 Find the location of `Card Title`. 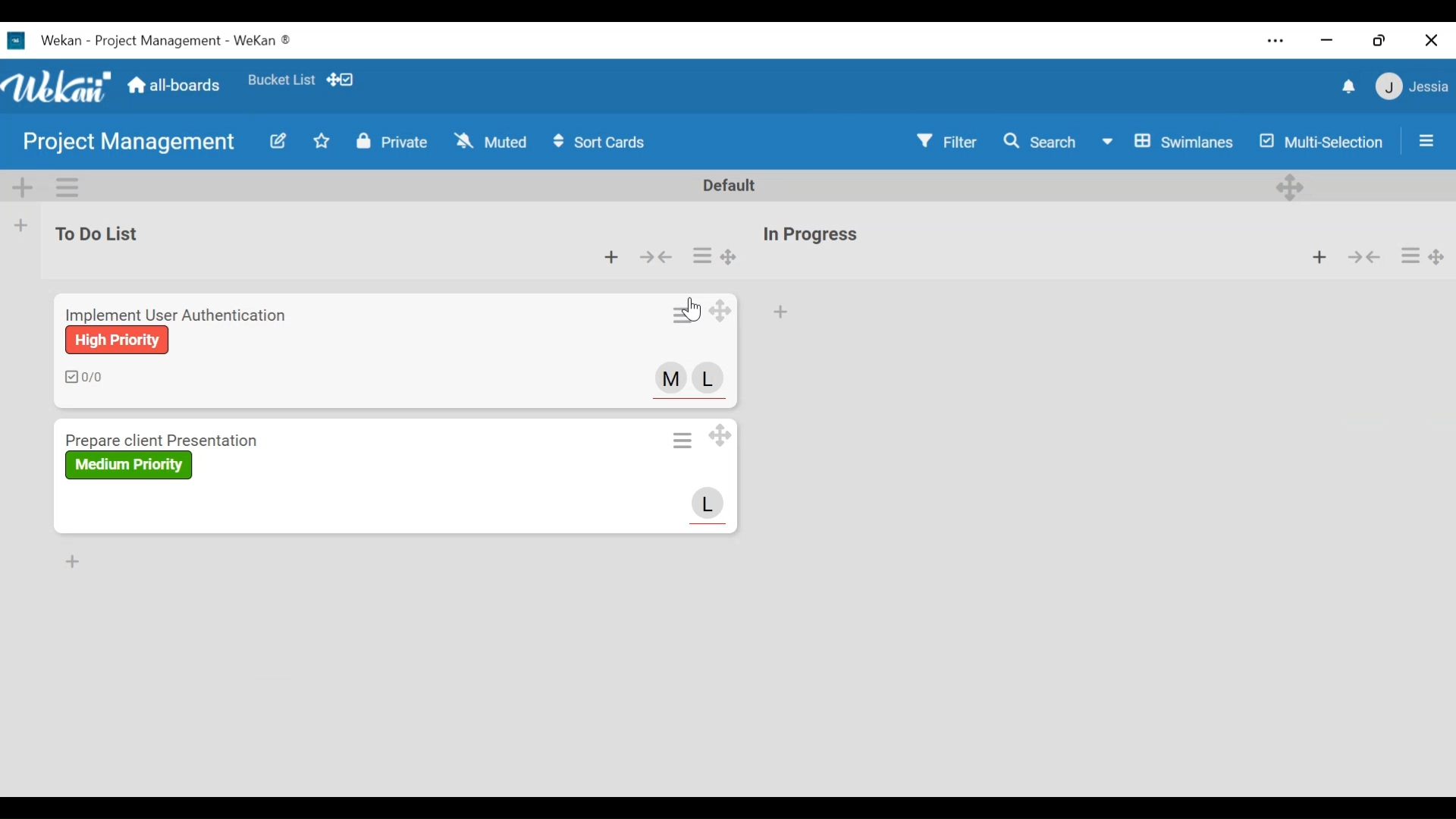

Card Title is located at coordinates (170, 441).